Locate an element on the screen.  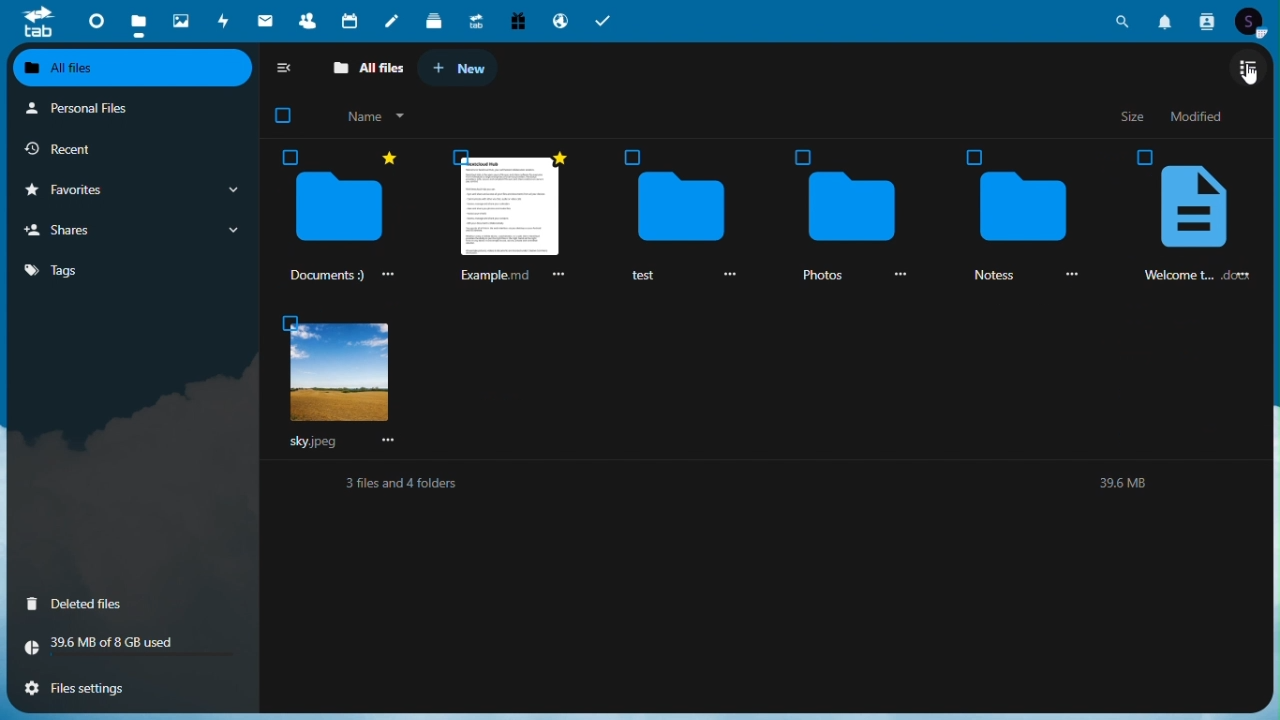
collapse sidebar is located at coordinates (286, 67).